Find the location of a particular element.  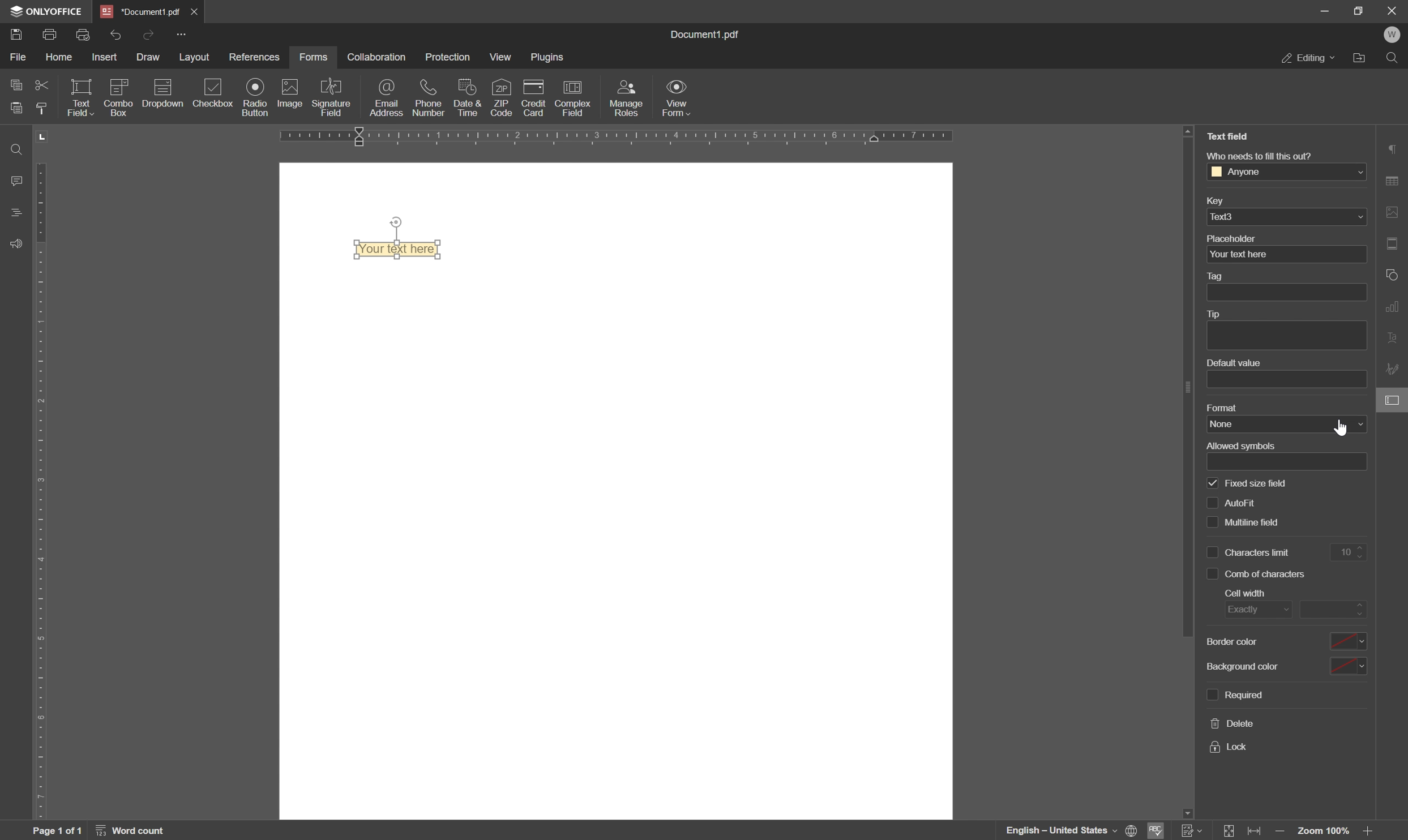

undo is located at coordinates (115, 34).